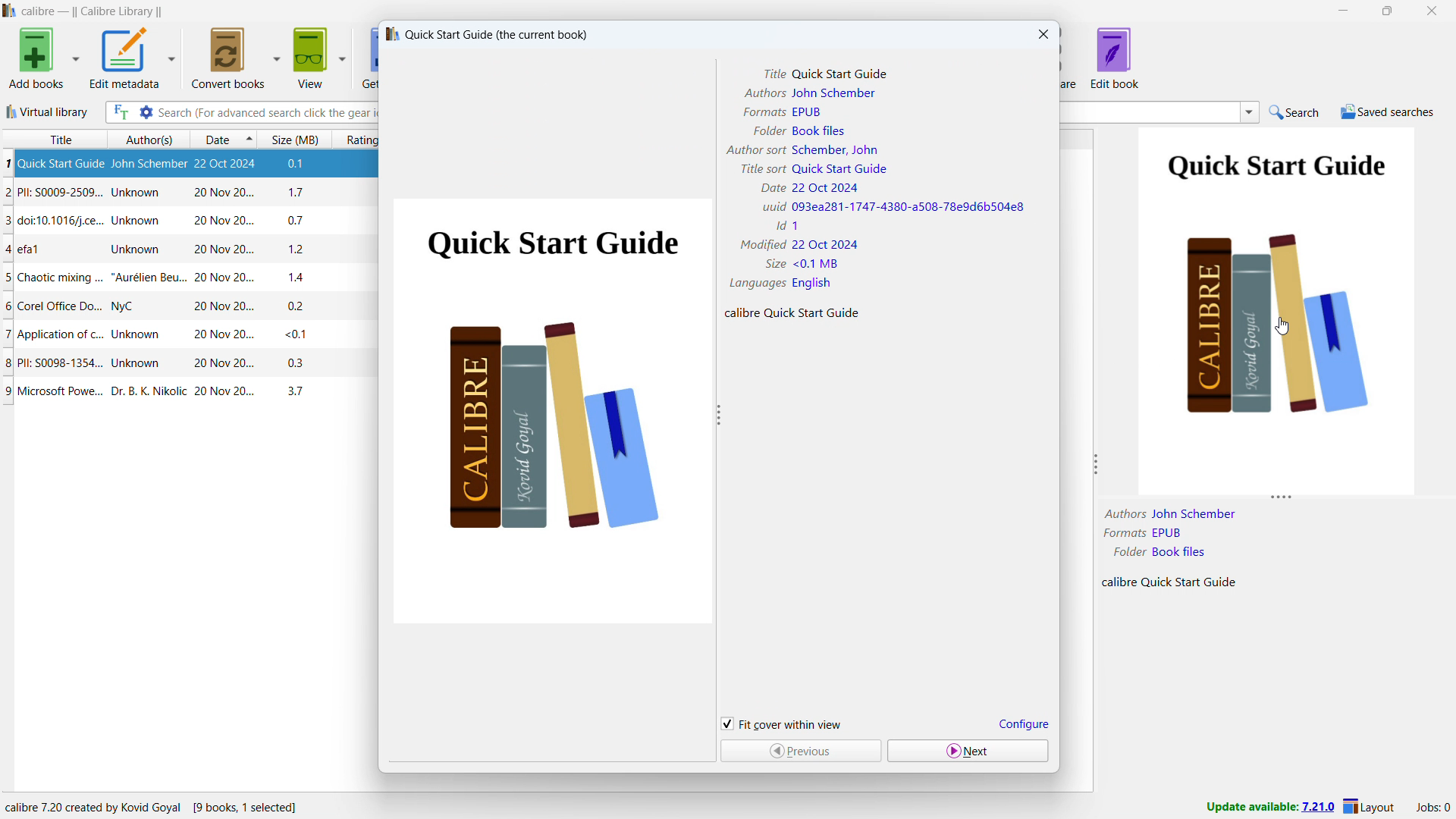 The height and width of the screenshot is (819, 1456). Describe the element at coordinates (485, 35) in the screenshot. I see `Quick Start Guide (the current book)` at that location.